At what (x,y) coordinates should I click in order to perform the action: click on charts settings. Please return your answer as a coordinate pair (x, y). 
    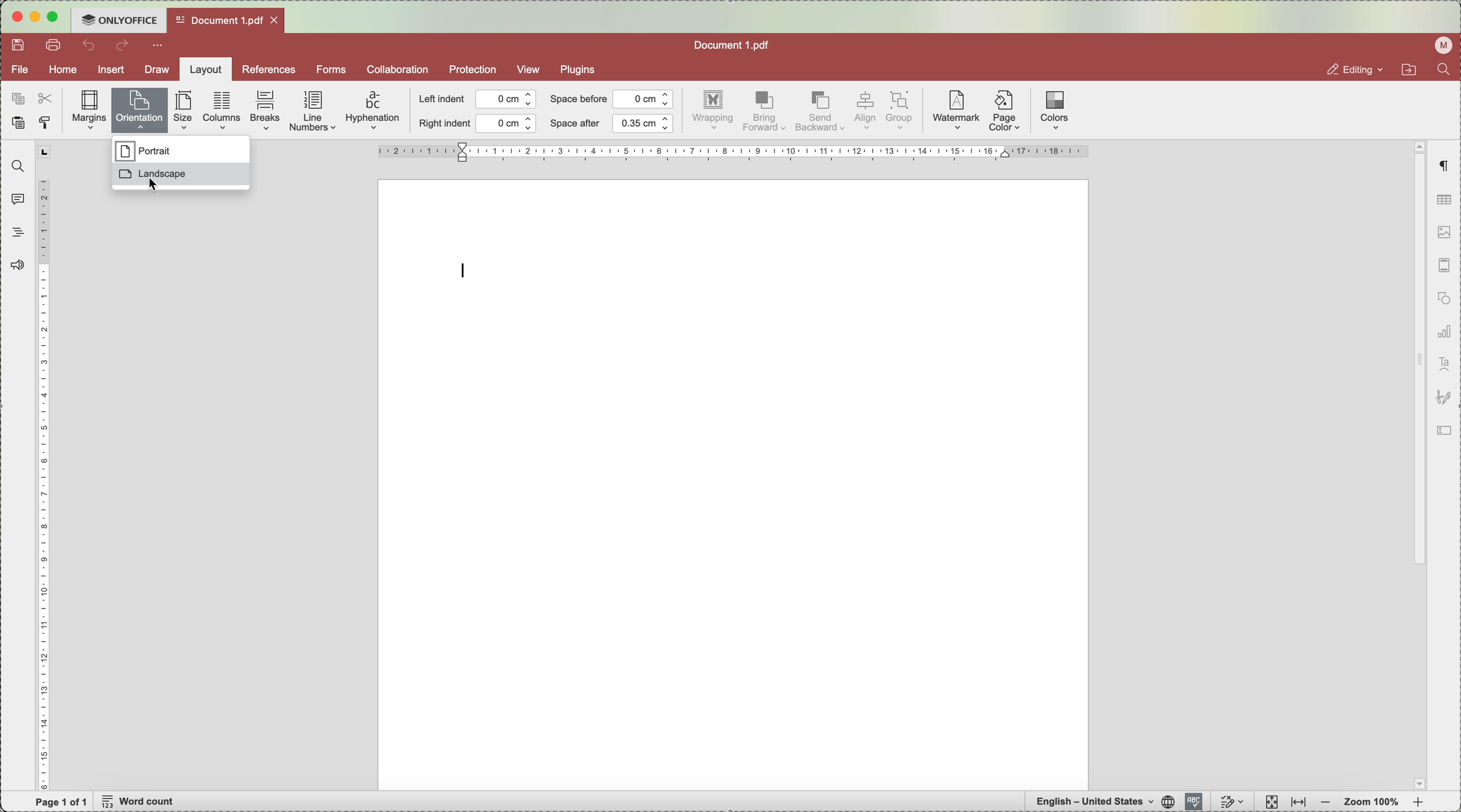
    Looking at the image, I should click on (1443, 333).